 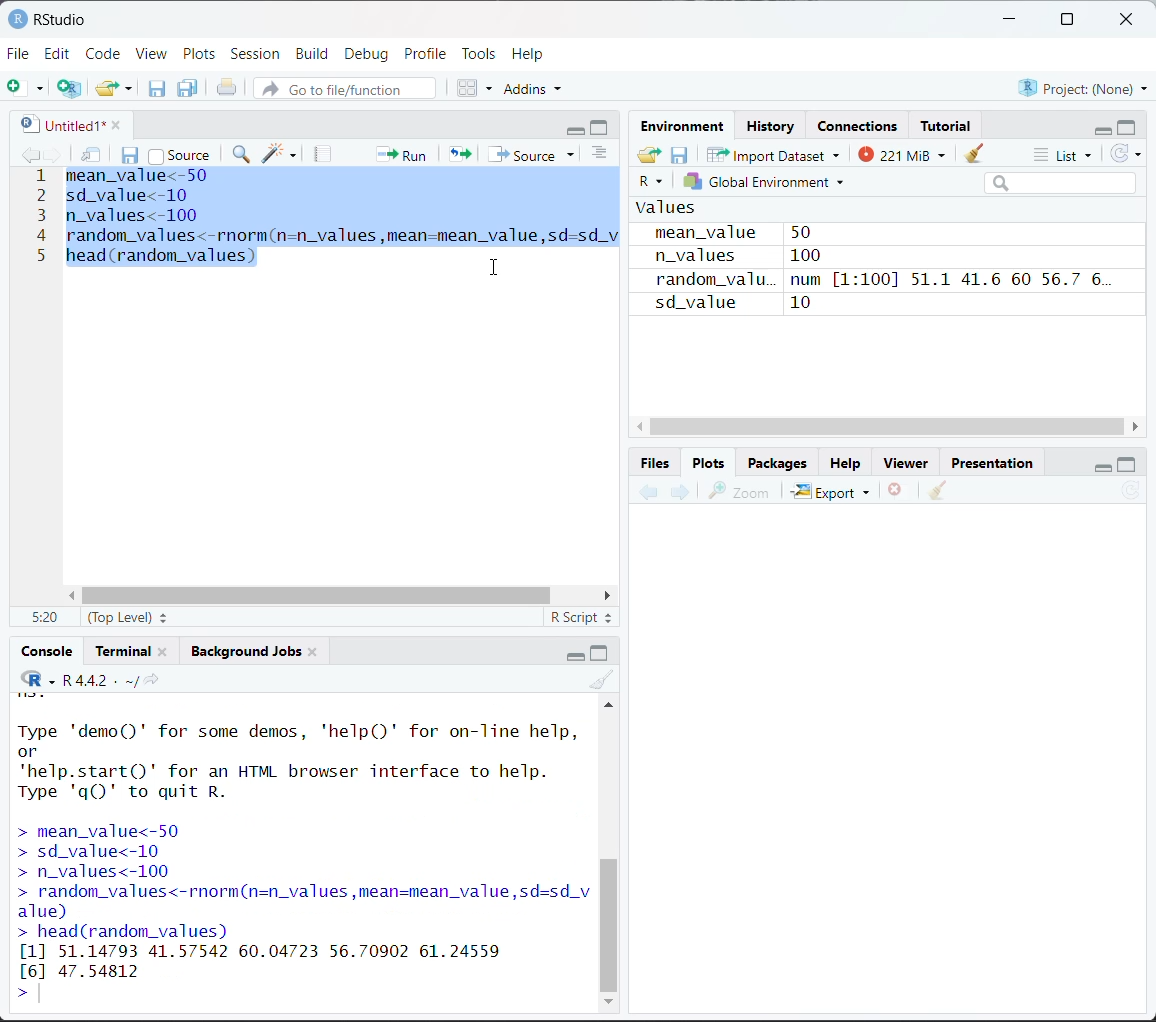 What do you see at coordinates (99, 680) in the screenshot?
I see `R 4.4.2 . ~/` at bounding box center [99, 680].